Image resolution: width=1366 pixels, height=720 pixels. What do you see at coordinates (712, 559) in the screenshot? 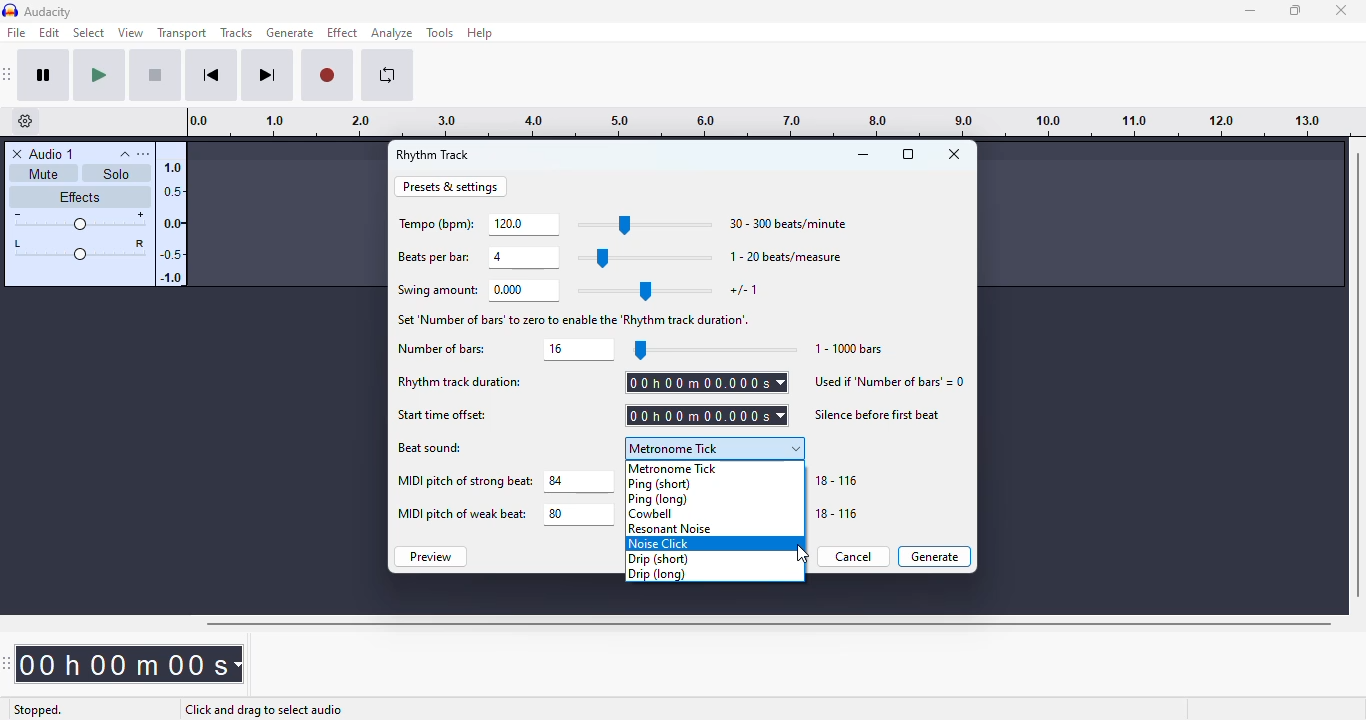
I see `drip (short)` at bounding box center [712, 559].